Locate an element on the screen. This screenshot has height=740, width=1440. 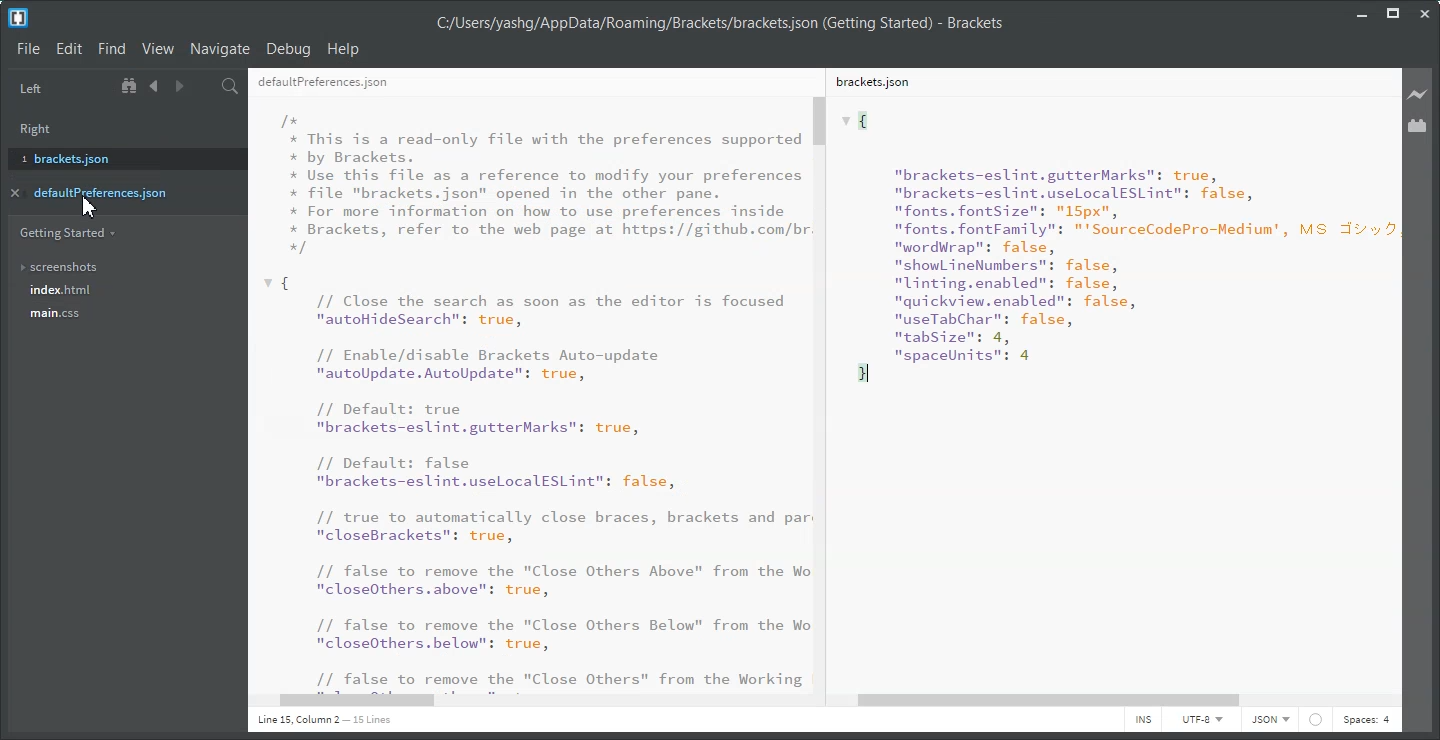
defaultpreferences.json is located at coordinates (114, 192).